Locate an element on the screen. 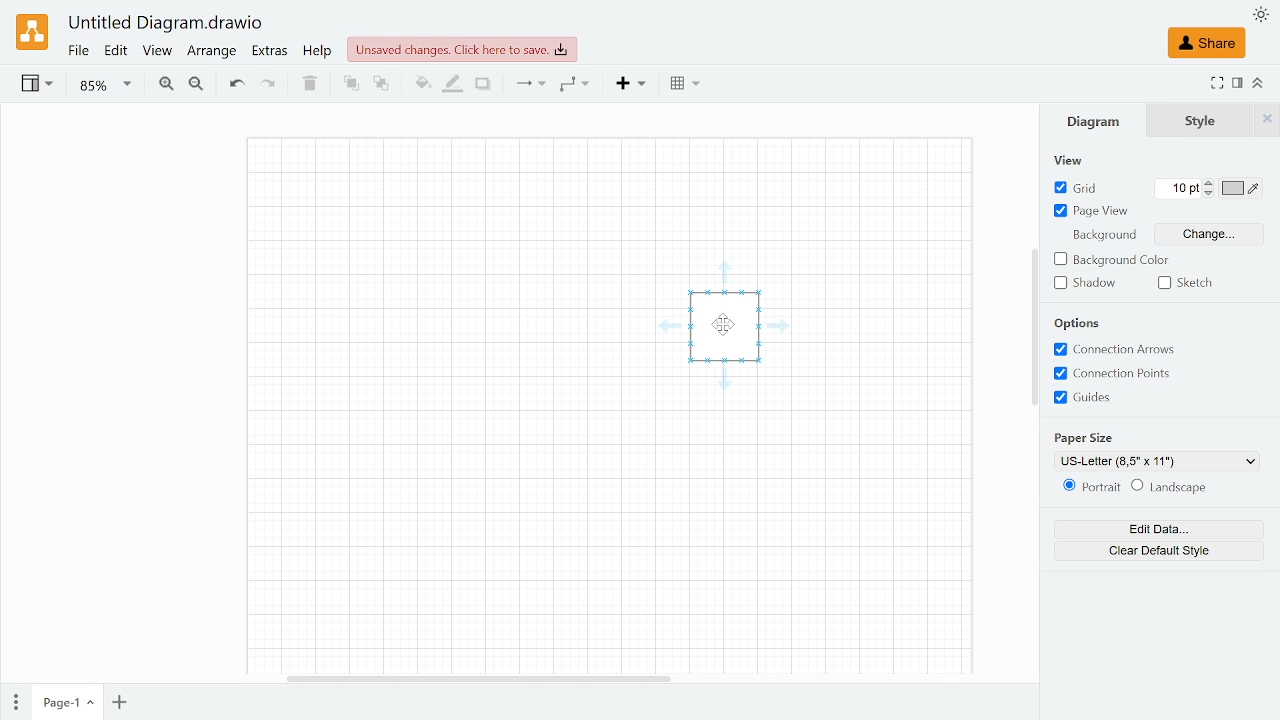  Appearence is located at coordinates (1261, 15).